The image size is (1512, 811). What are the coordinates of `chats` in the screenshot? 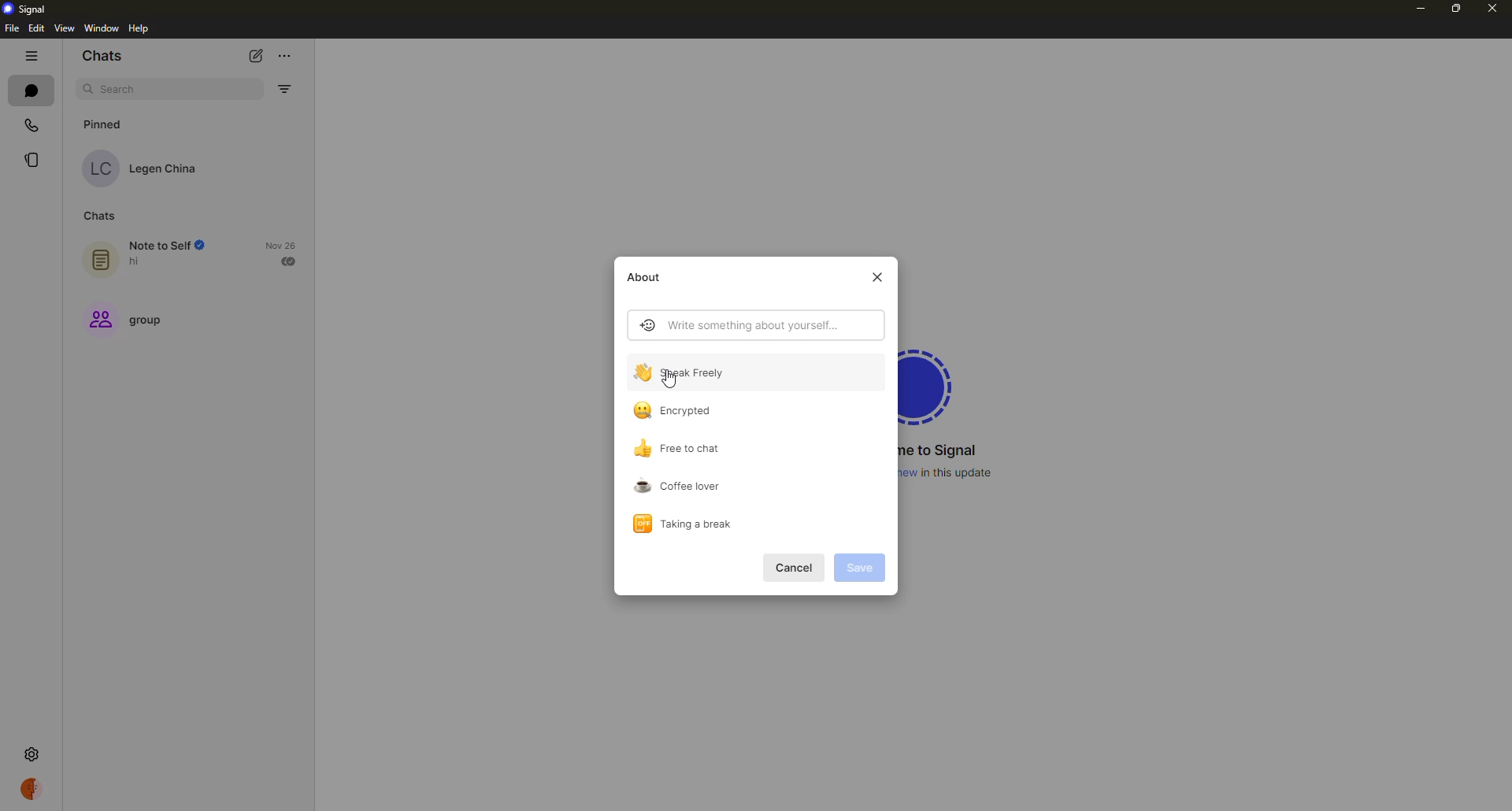 It's located at (98, 217).